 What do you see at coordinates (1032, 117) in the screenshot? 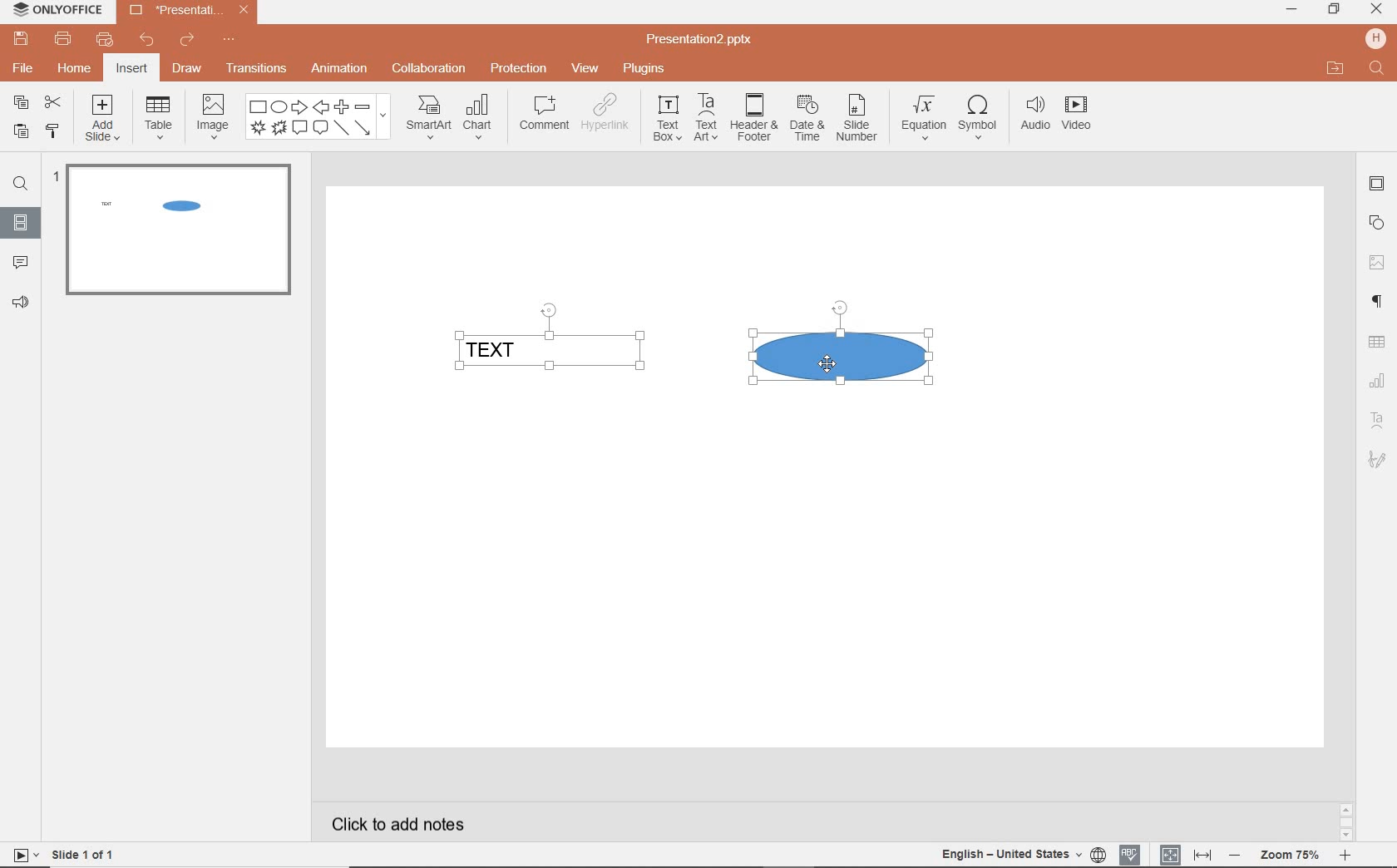
I see `audio` at bounding box center [1032, 117].